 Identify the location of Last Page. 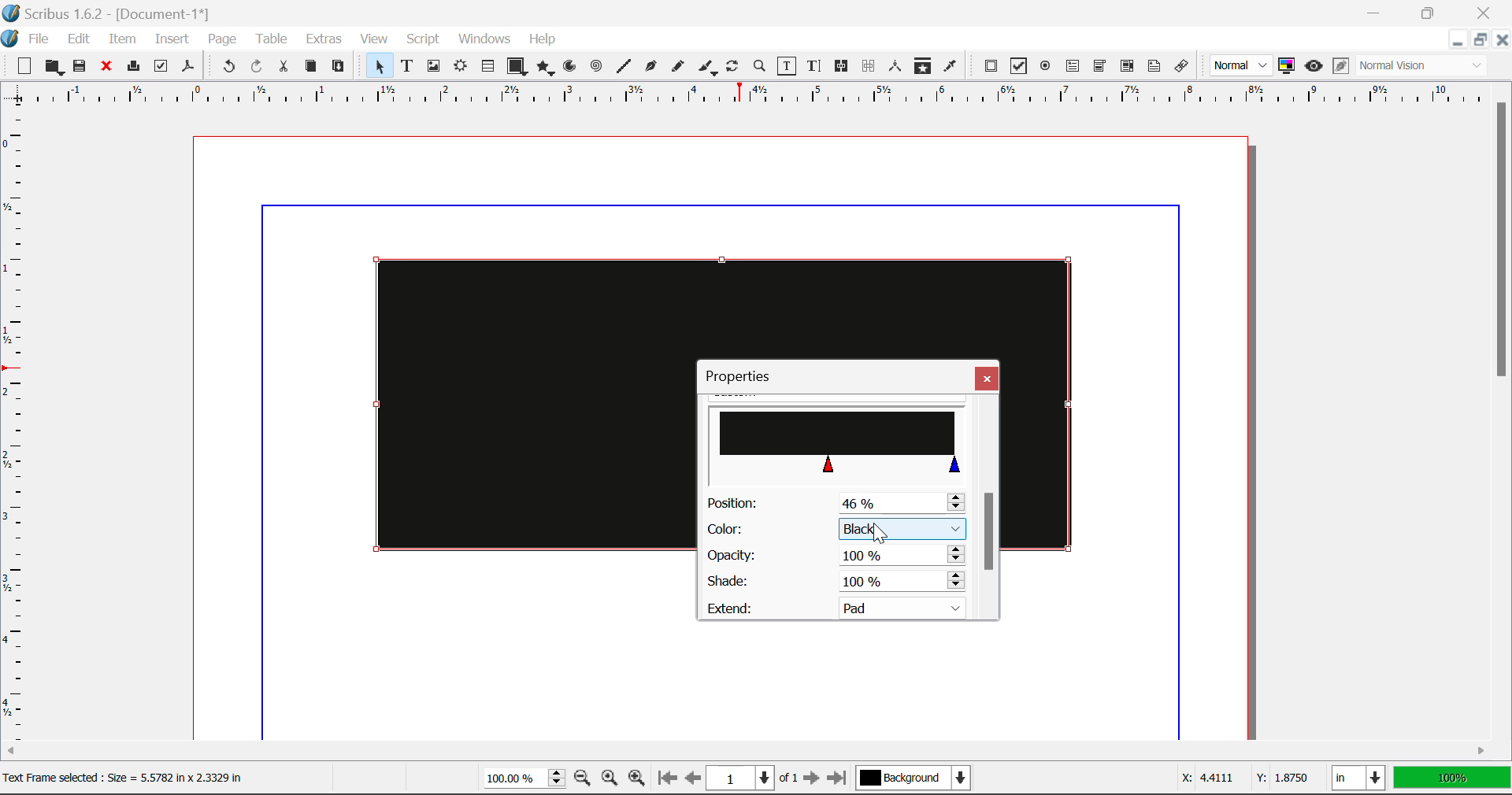
(840, 781).